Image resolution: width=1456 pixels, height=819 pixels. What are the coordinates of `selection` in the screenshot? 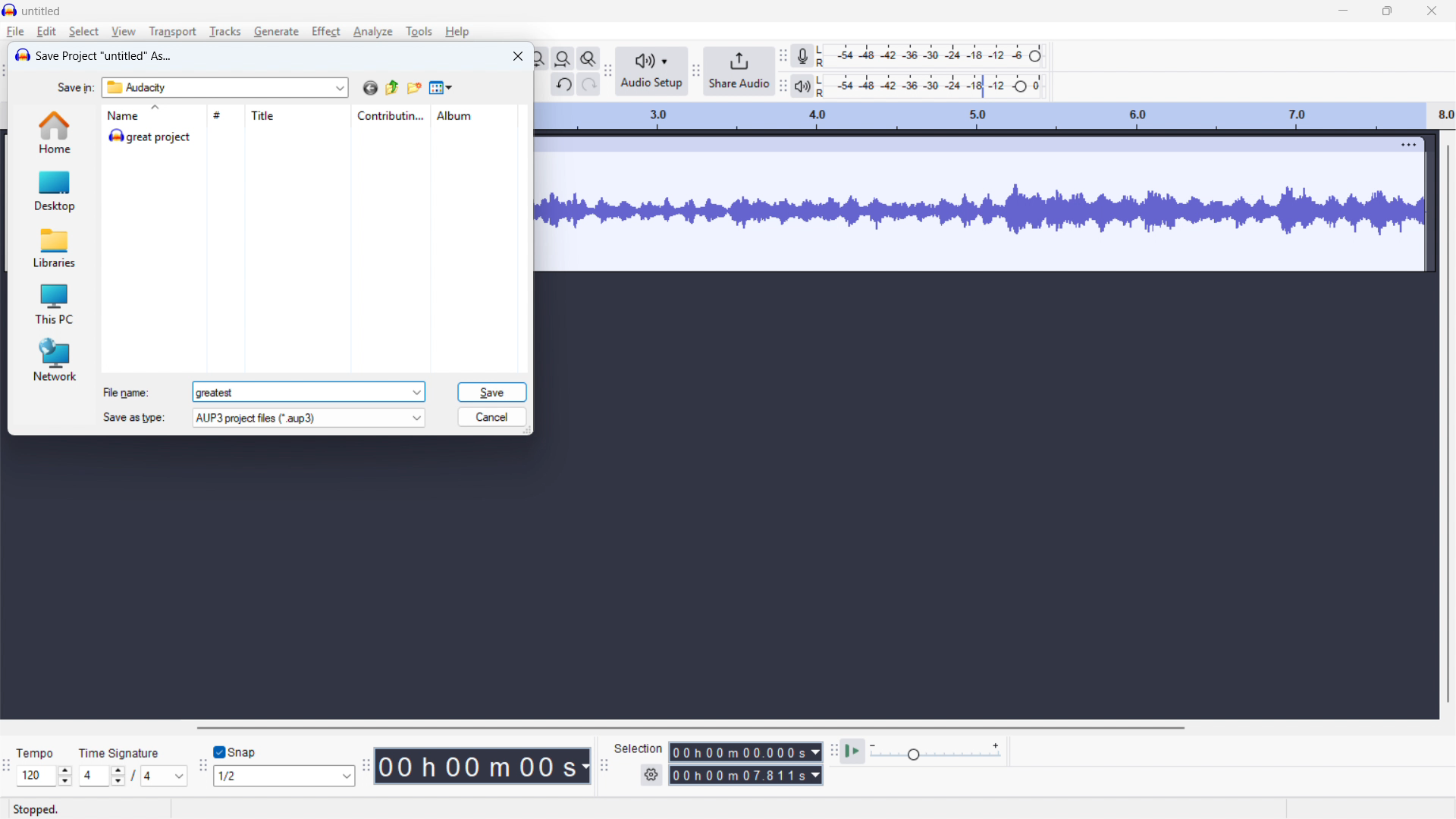 It's located at (639, 748).